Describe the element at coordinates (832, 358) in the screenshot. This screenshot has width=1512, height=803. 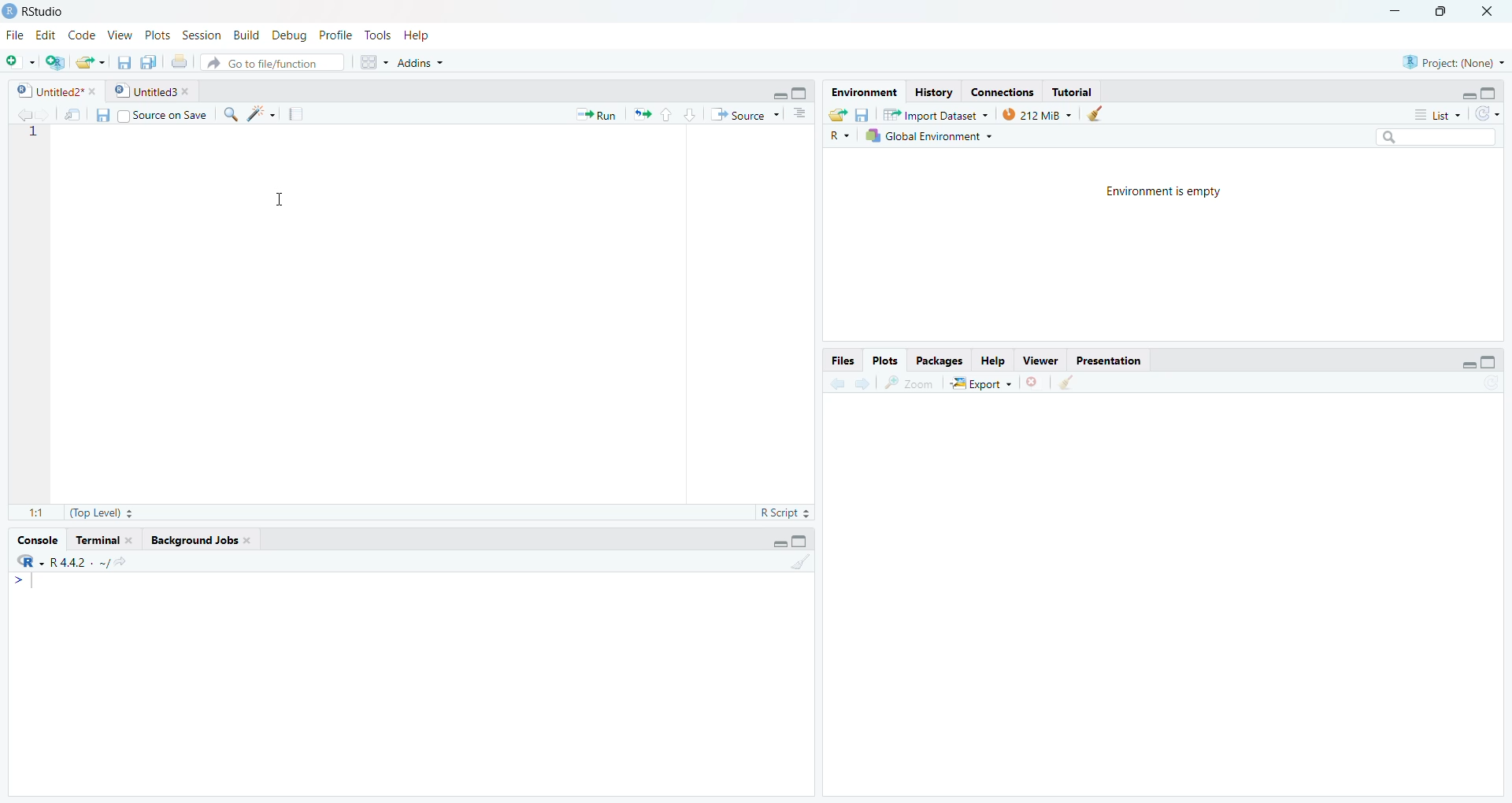
I see `FILES` at that location.